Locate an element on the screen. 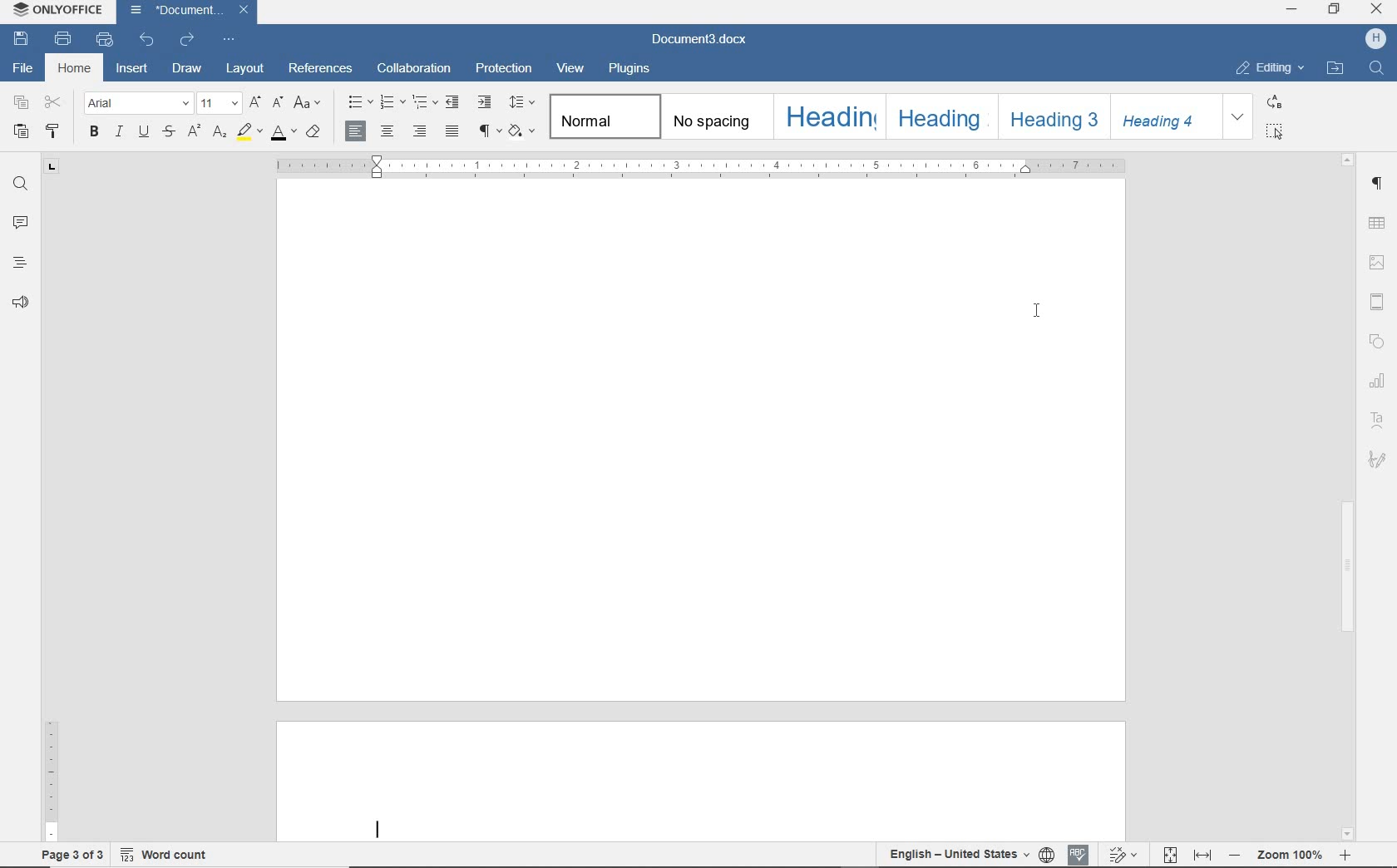  Word count is located at coordinates (172, 852).